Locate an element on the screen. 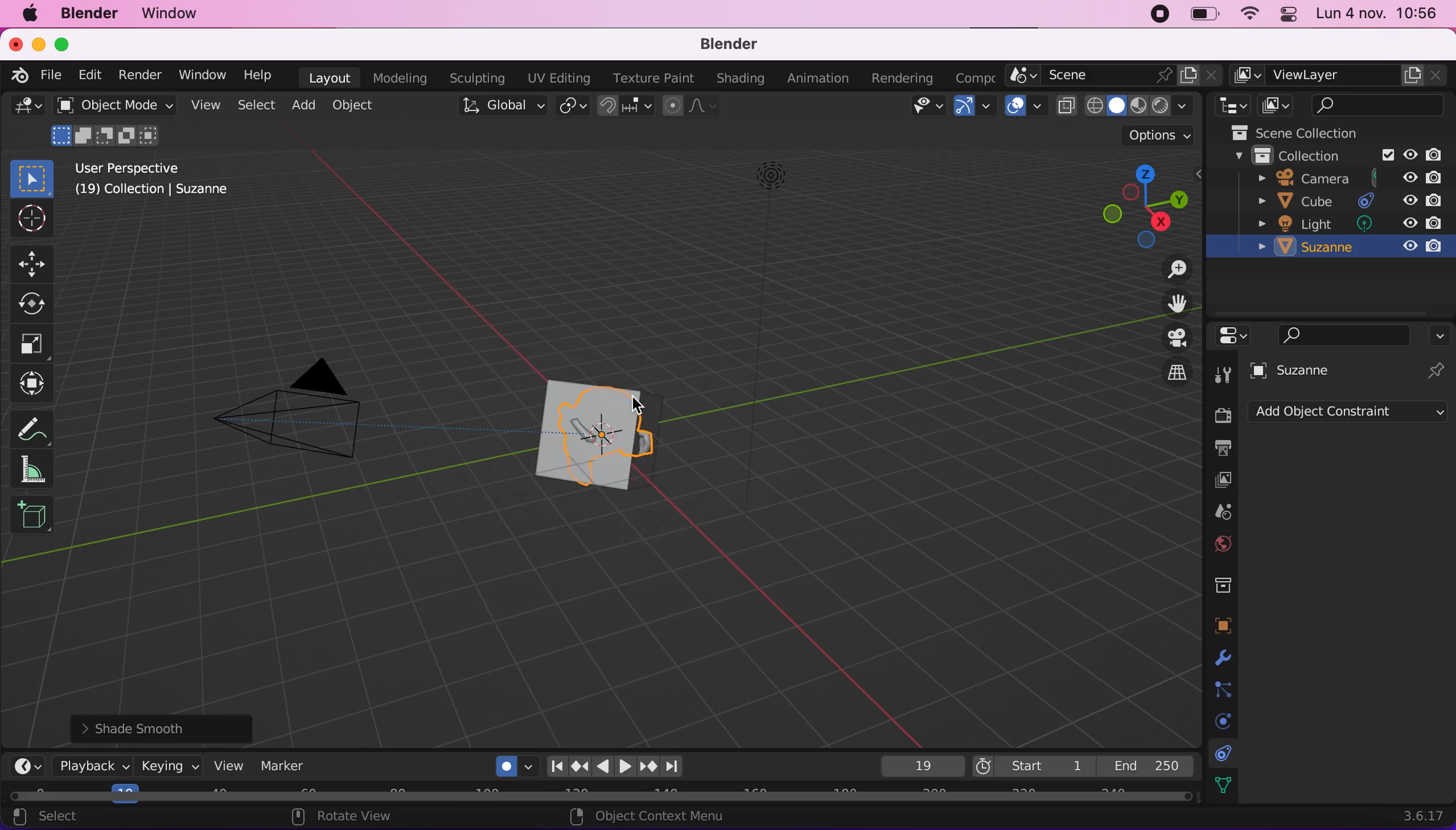  measure is located at coordinates (32, 471).